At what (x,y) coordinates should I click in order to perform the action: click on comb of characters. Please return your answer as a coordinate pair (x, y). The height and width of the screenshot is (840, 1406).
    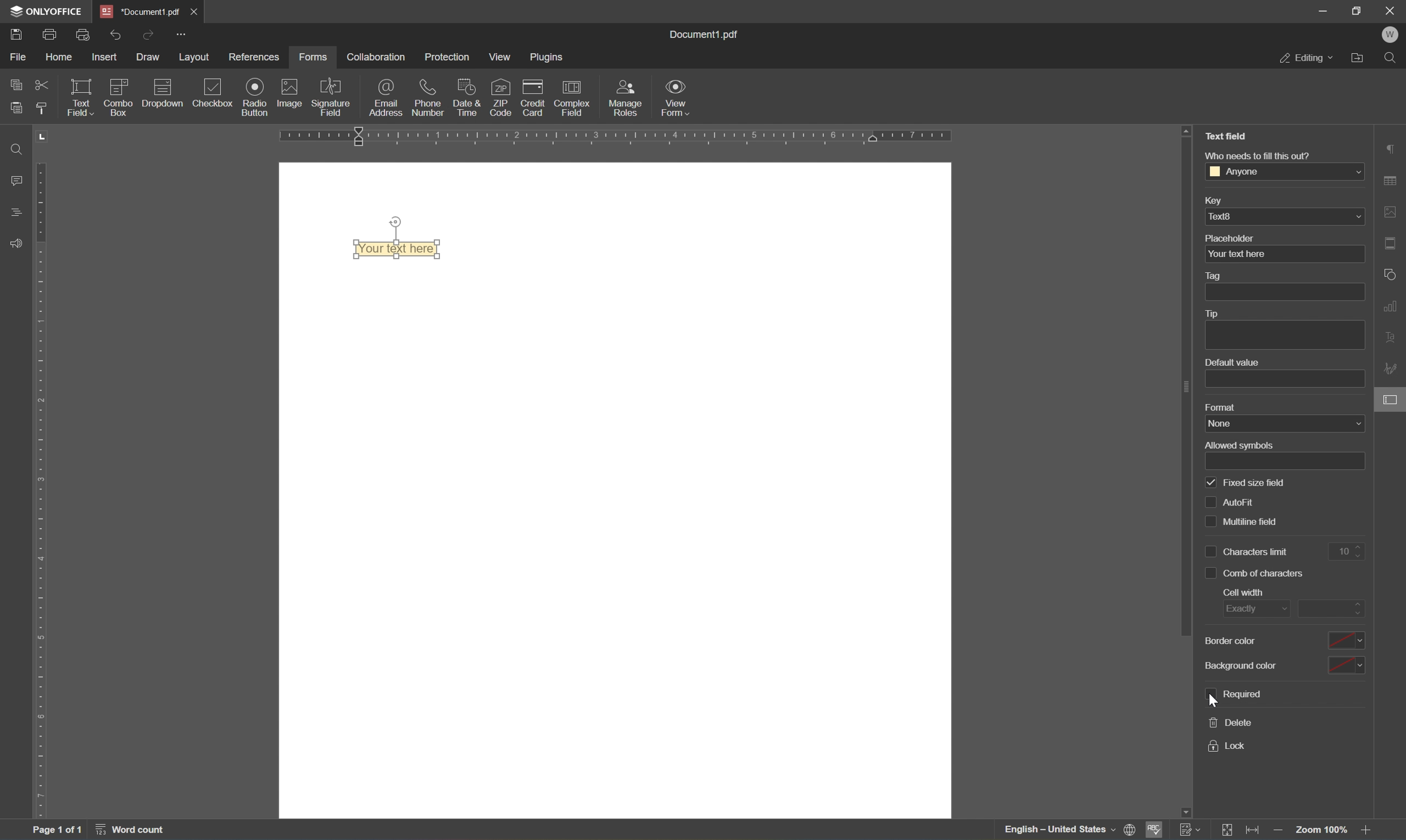
    Looking at the image, I should click on (1258, 572).